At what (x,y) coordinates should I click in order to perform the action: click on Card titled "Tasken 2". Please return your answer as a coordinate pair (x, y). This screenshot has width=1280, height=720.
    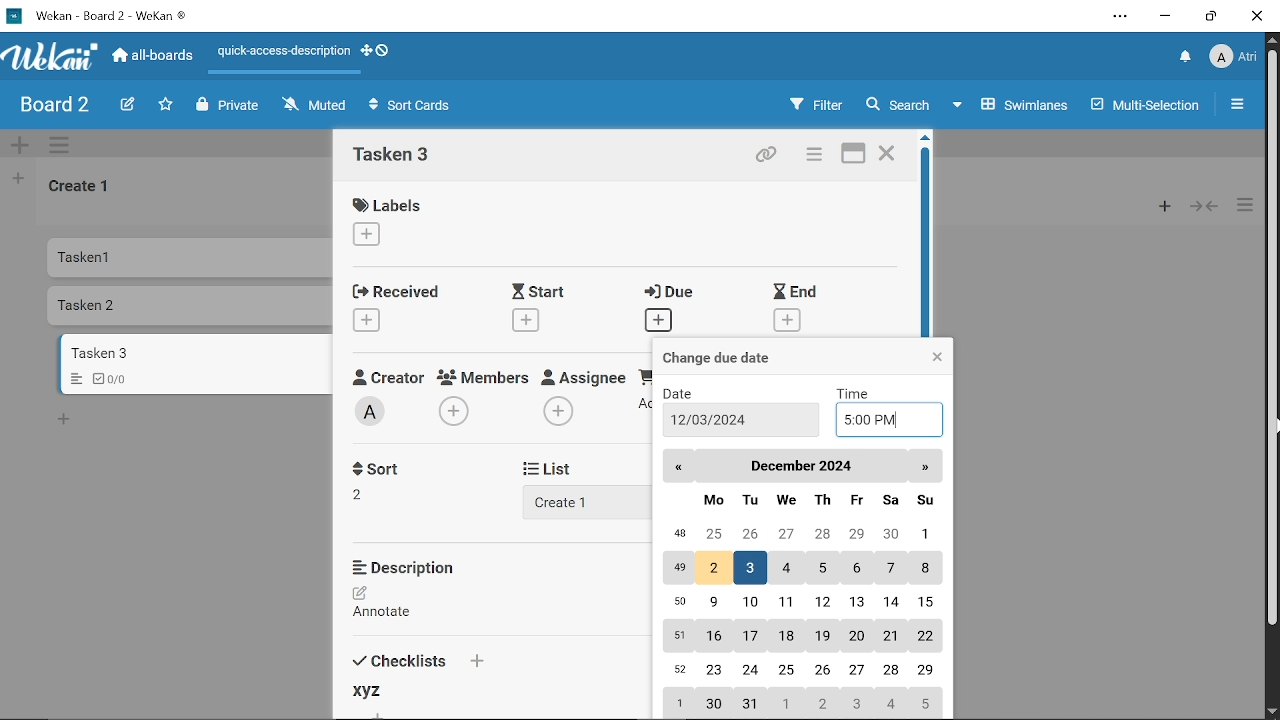
    Looking at the image, I should click on (193, 307).